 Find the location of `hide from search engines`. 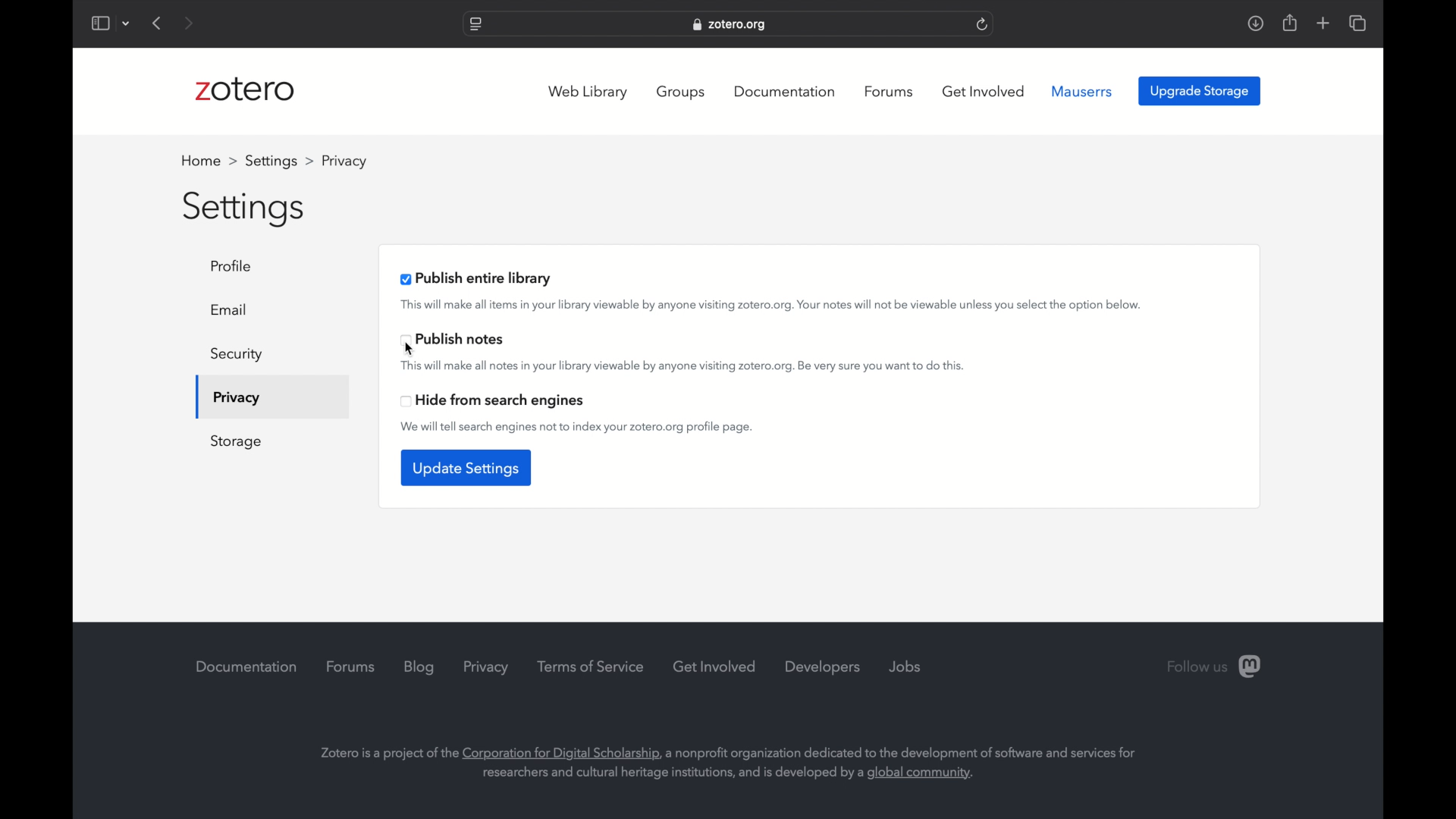

hide from search engines is located at coordinates (492, 401).